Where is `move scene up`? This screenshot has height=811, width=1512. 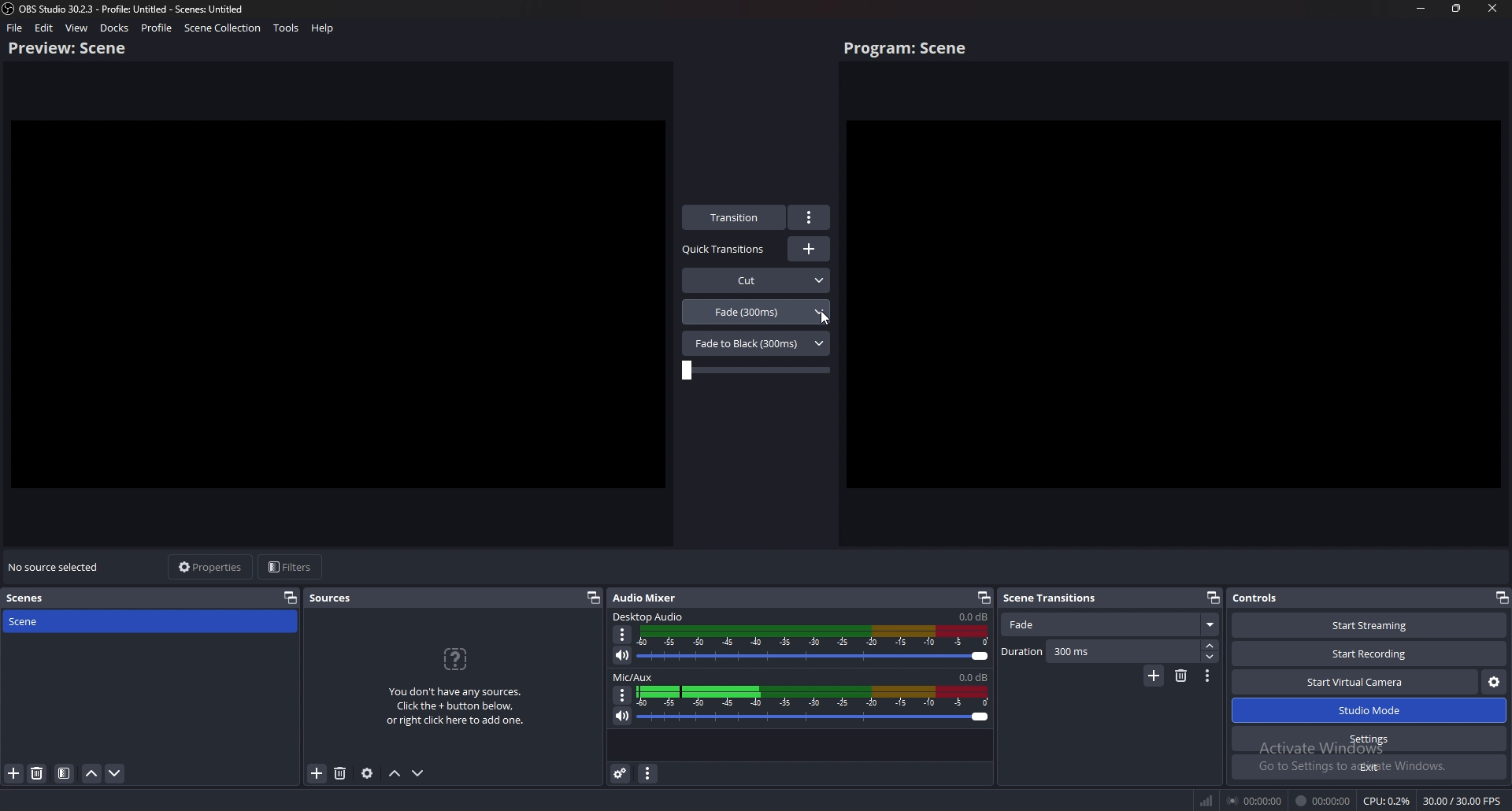
move scene up is located at coordinates (92, 773).